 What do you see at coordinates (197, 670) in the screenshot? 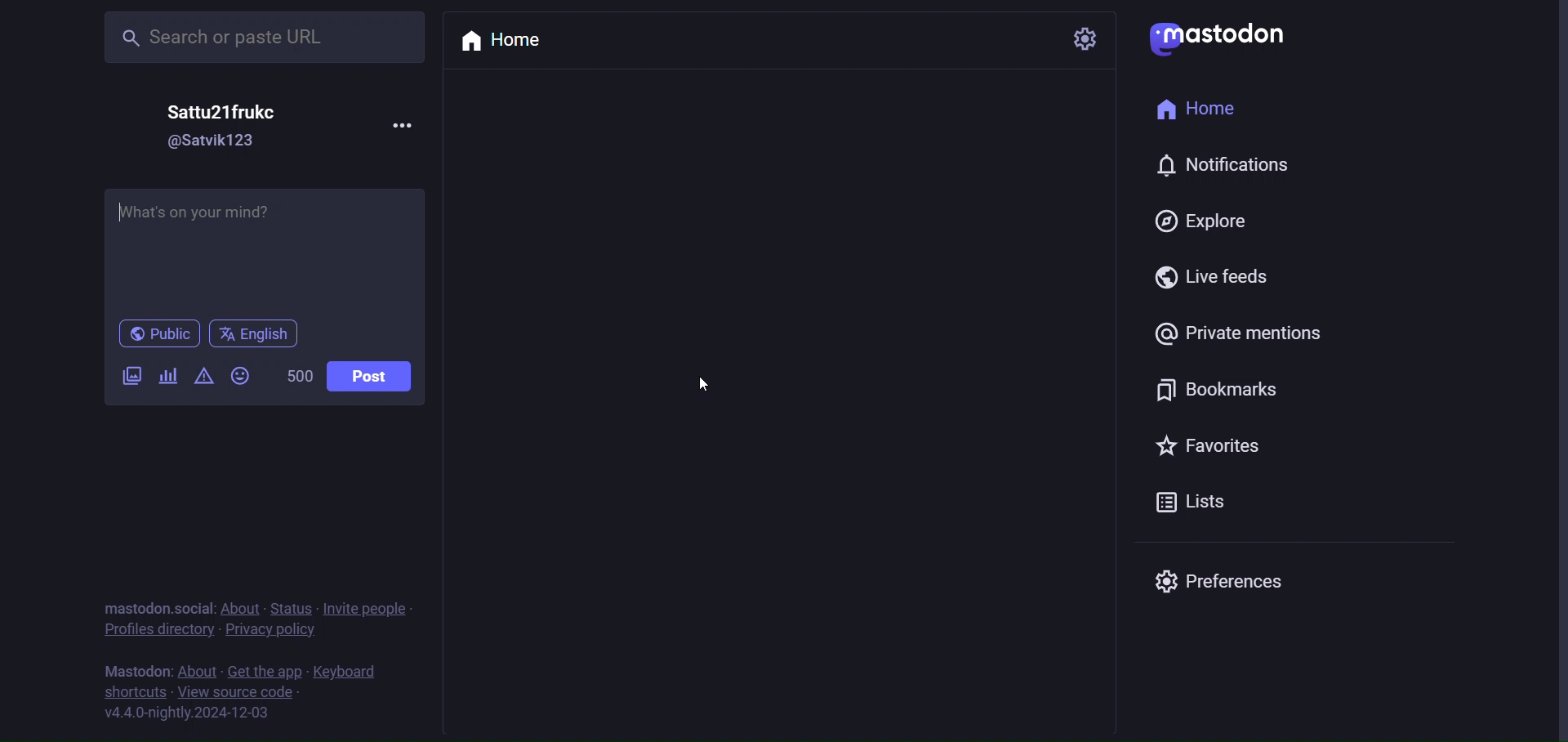
I see `about` at bounding box center [197, 670].